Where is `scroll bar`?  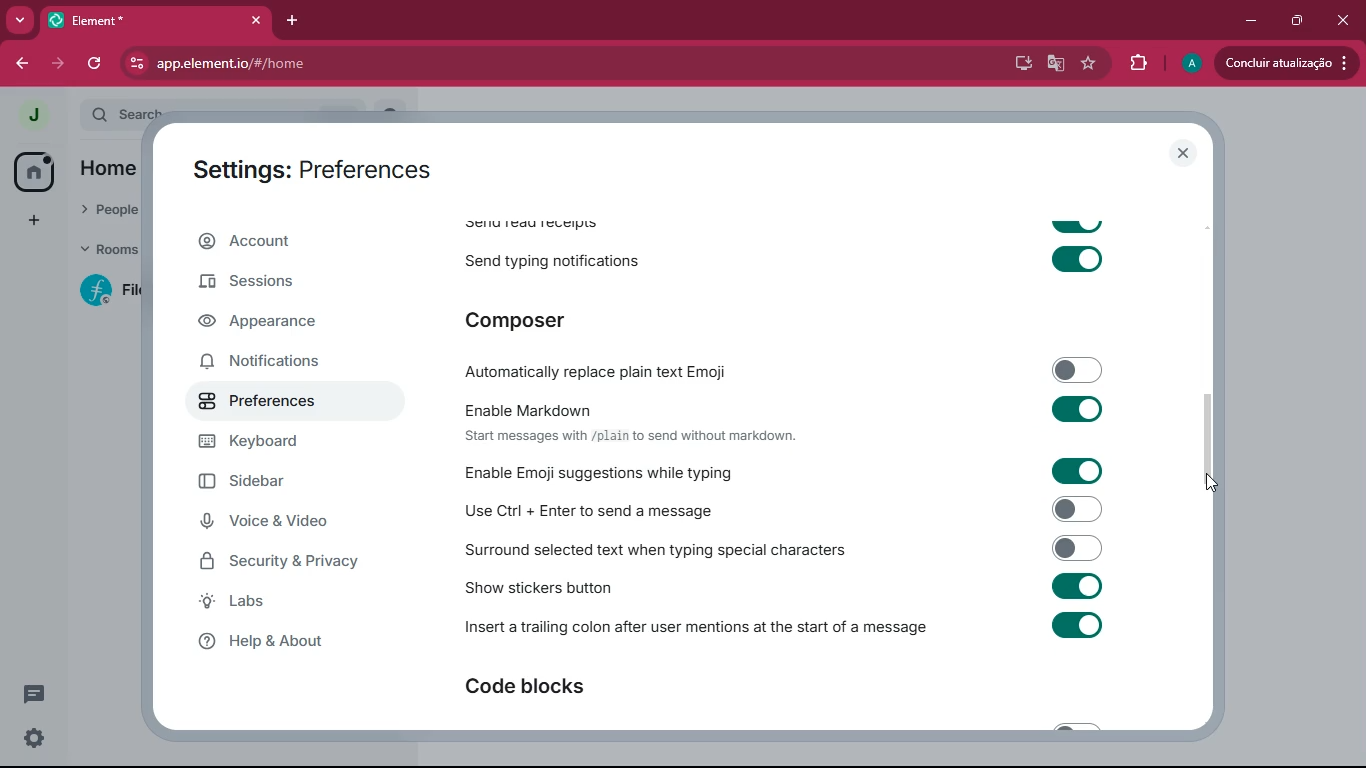 scroll bar is located at coordinates (1218, 442).